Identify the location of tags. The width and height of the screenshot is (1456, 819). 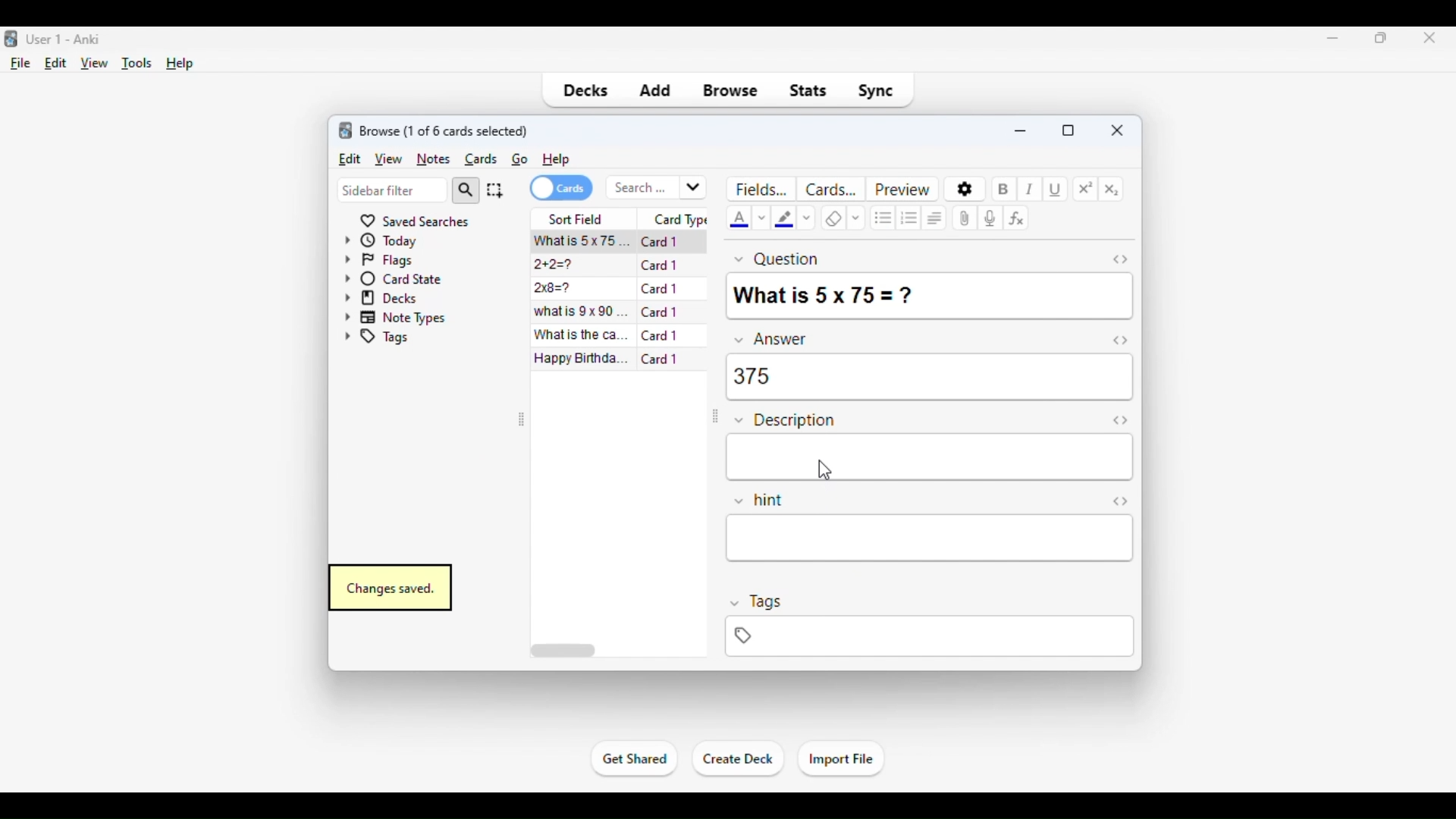
(929, 637).